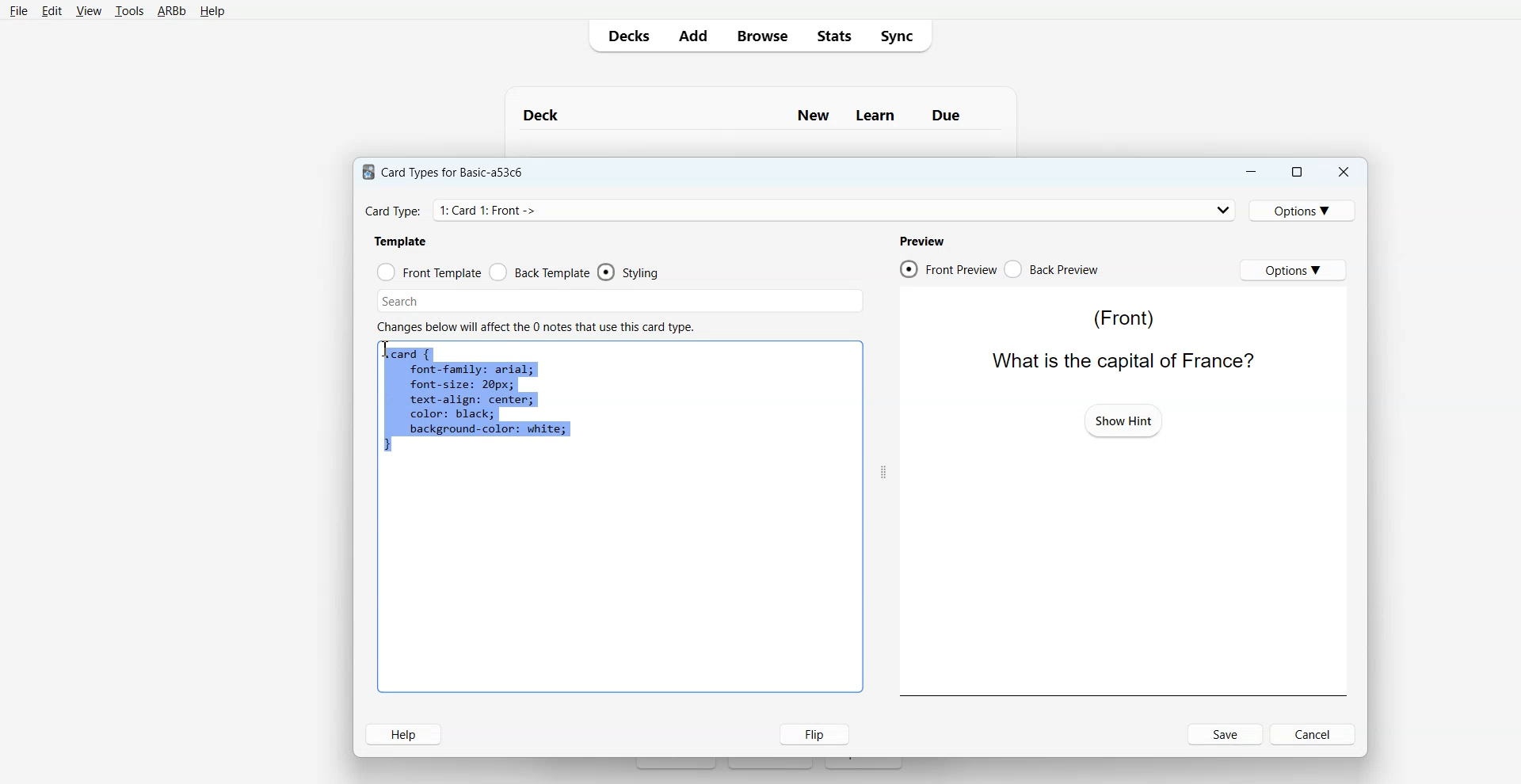 The width and height of the screenshot is (1521, 784). I want to click on File, so click(18, 10).